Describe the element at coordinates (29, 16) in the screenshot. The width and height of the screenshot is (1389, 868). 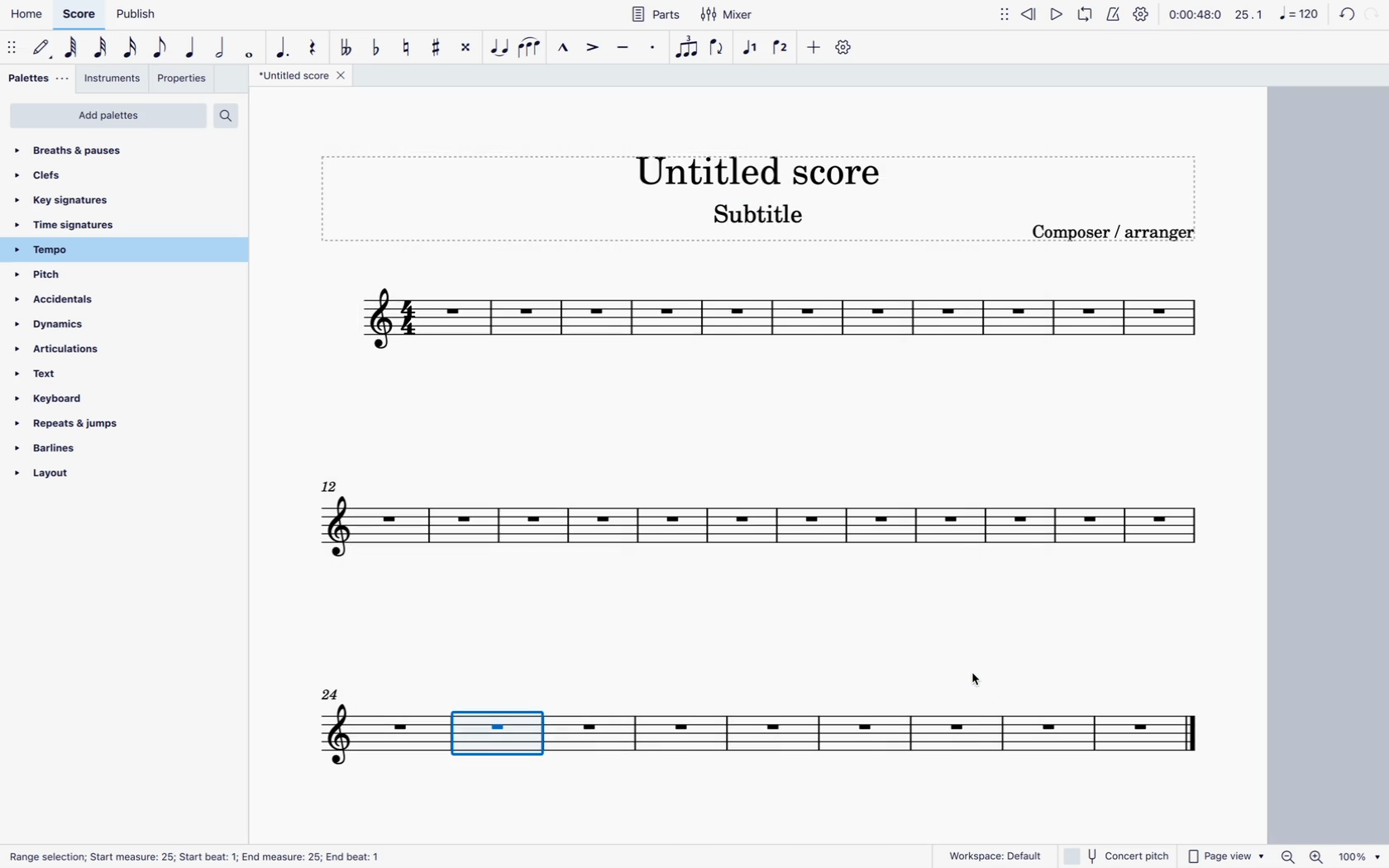
I see `home` at that location.